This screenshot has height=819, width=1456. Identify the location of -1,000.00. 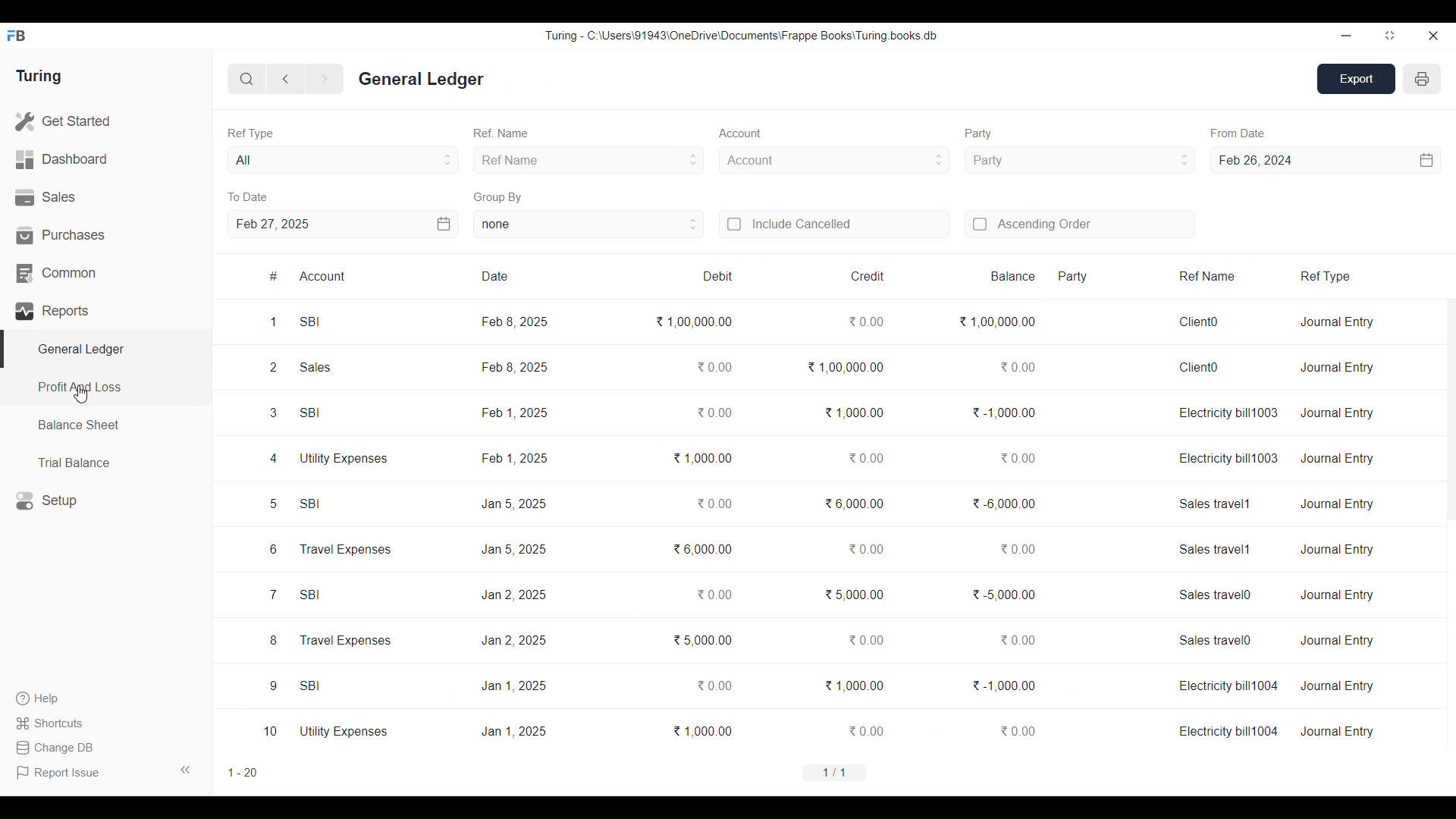
(1007, 686).